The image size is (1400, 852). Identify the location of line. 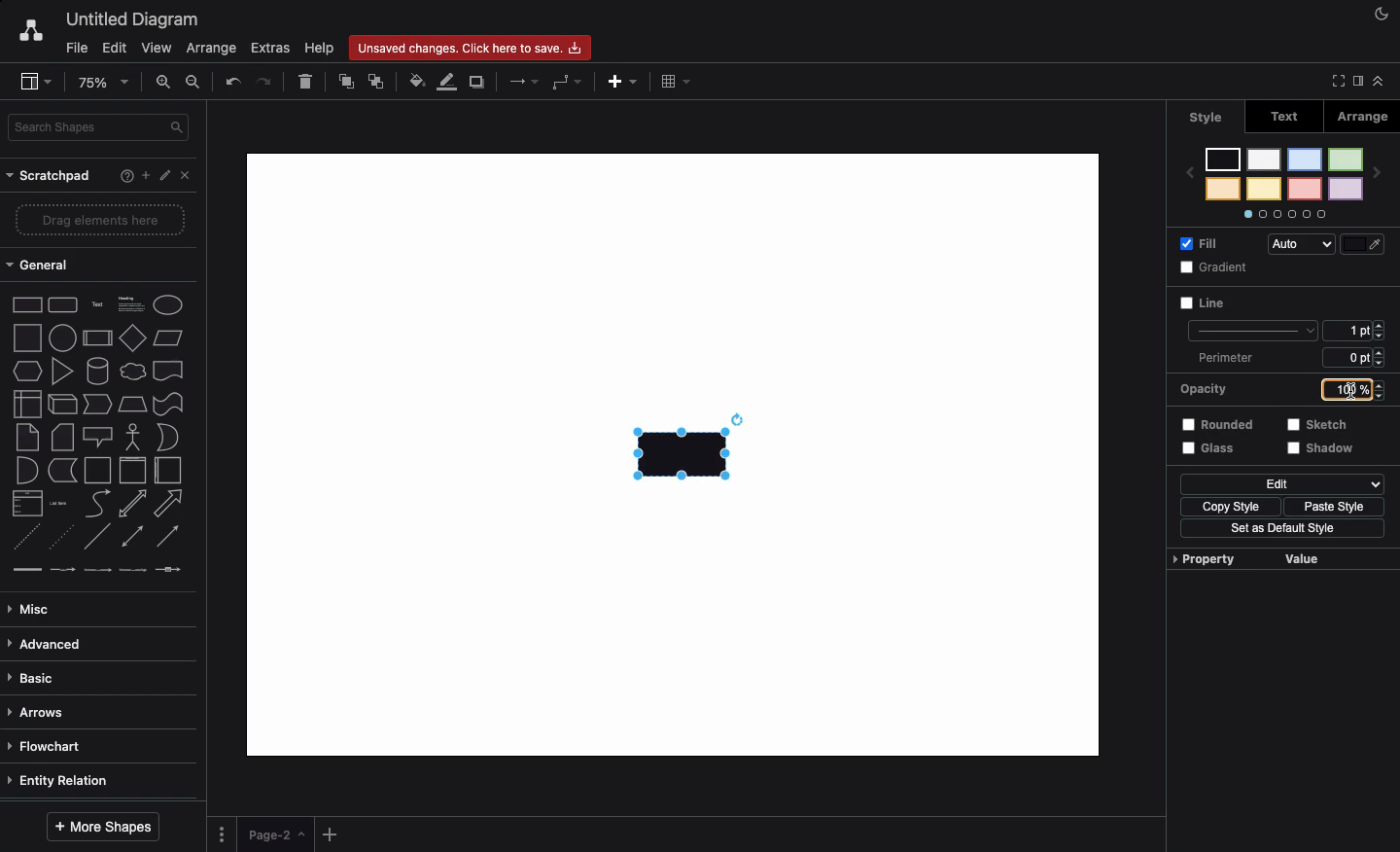
(1250, 328).